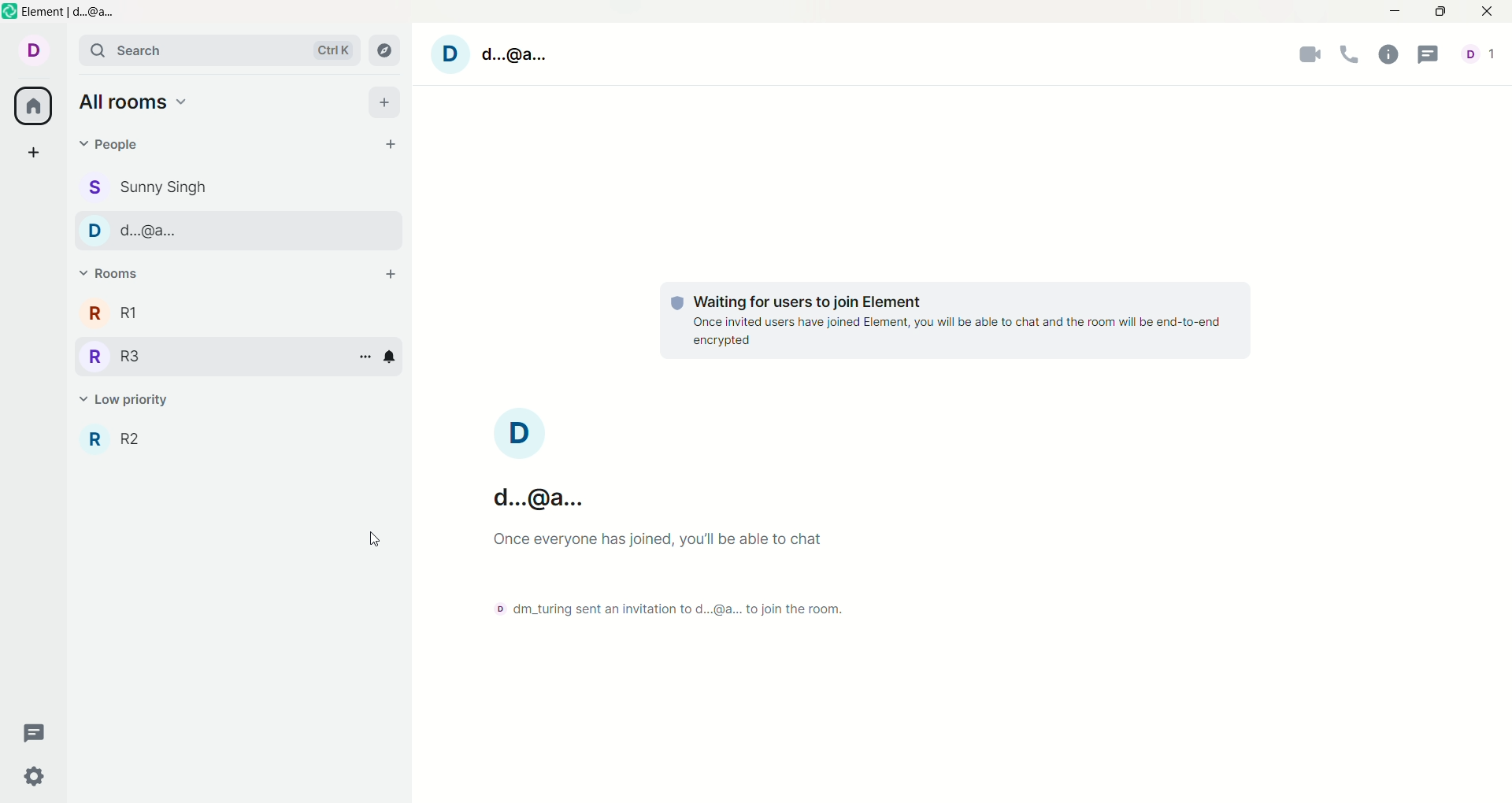  I want to click on information, so click(1388, 56).